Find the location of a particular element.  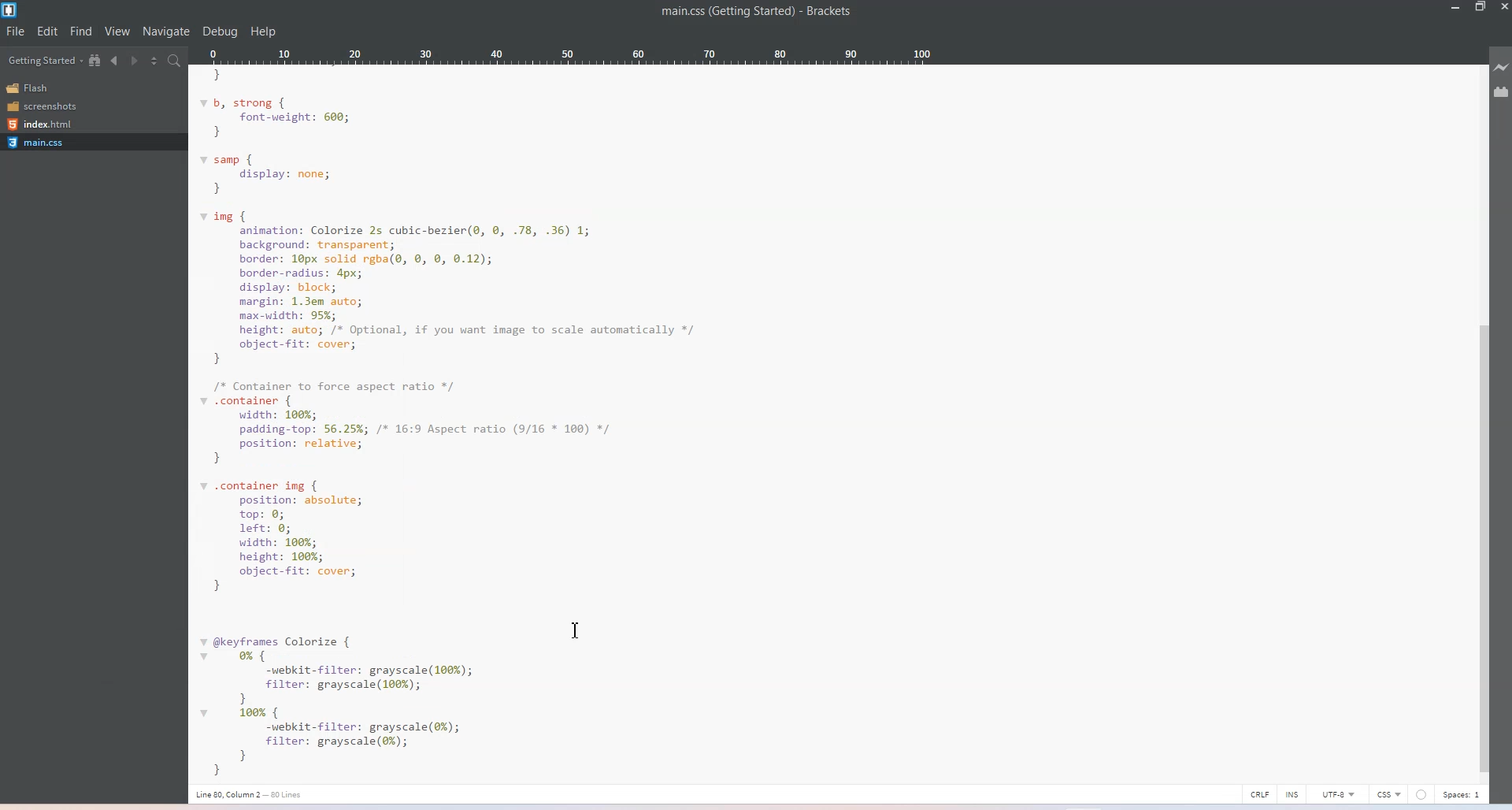

Spaces is located at coordinates (1462, 795).